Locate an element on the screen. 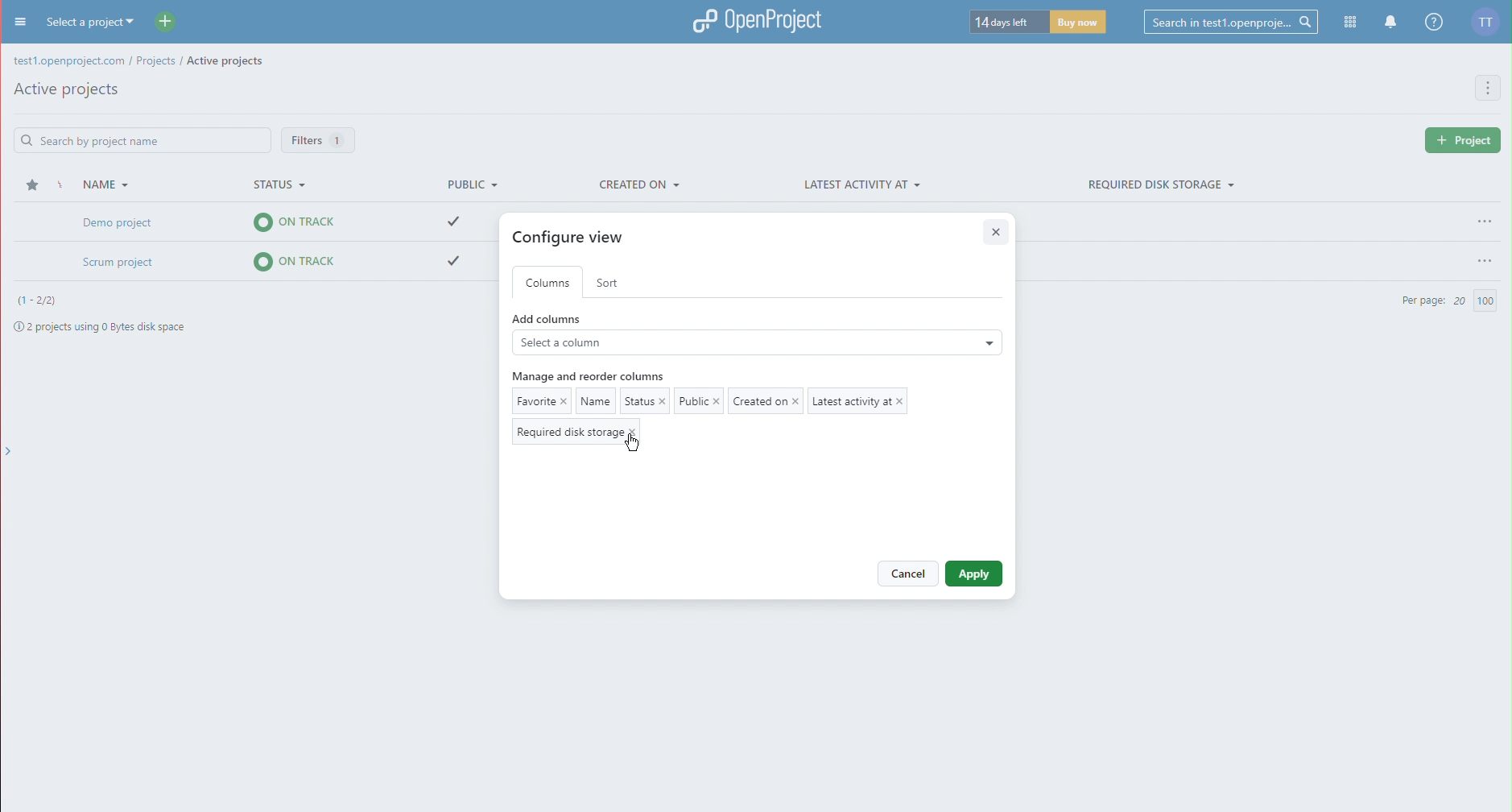  Close is located at coordinates (997, 232).